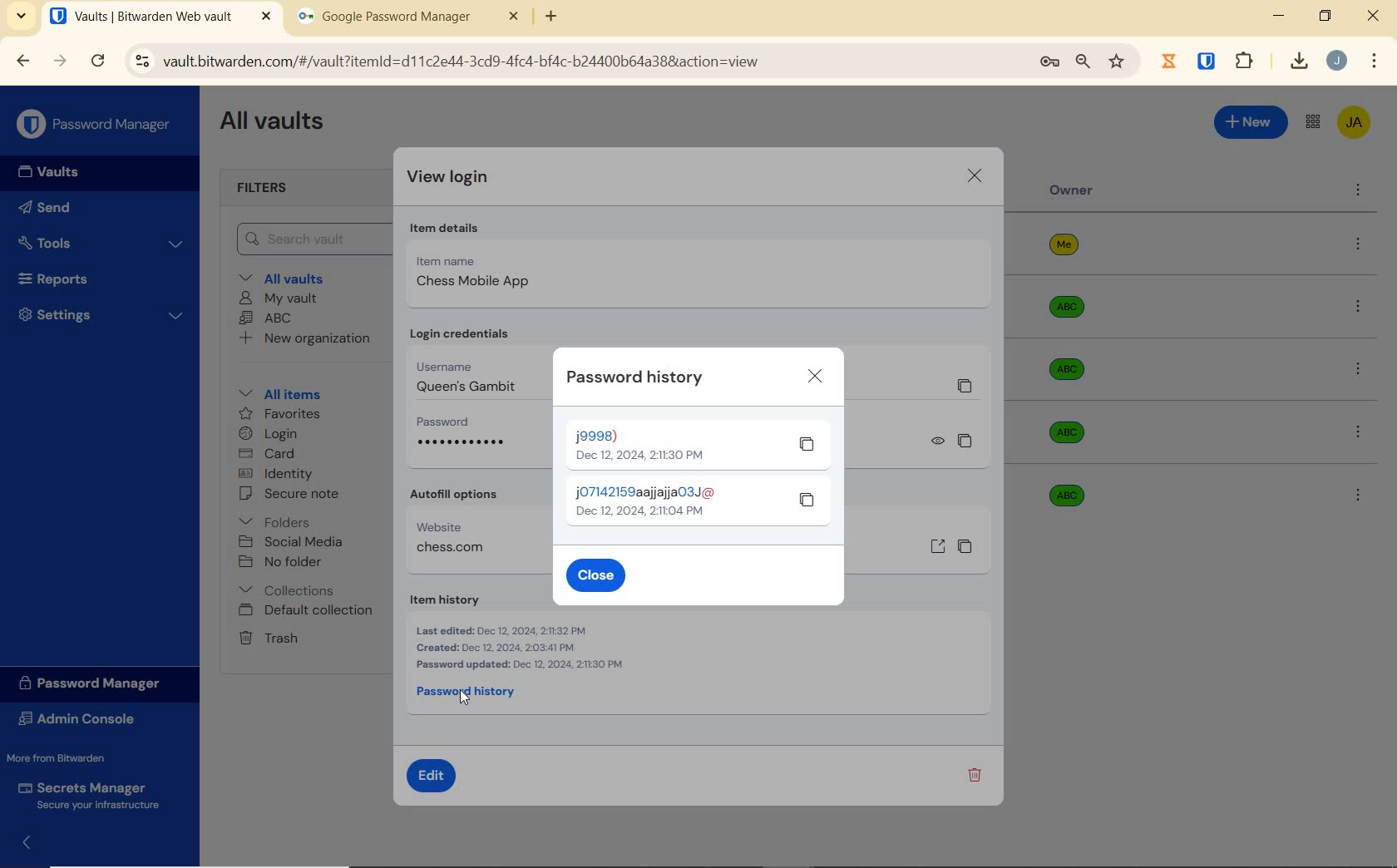 This screenshot has width=1397, height=868. Describe the element at coordinates (650, 501) in the screenshot. I see `password` at that location.